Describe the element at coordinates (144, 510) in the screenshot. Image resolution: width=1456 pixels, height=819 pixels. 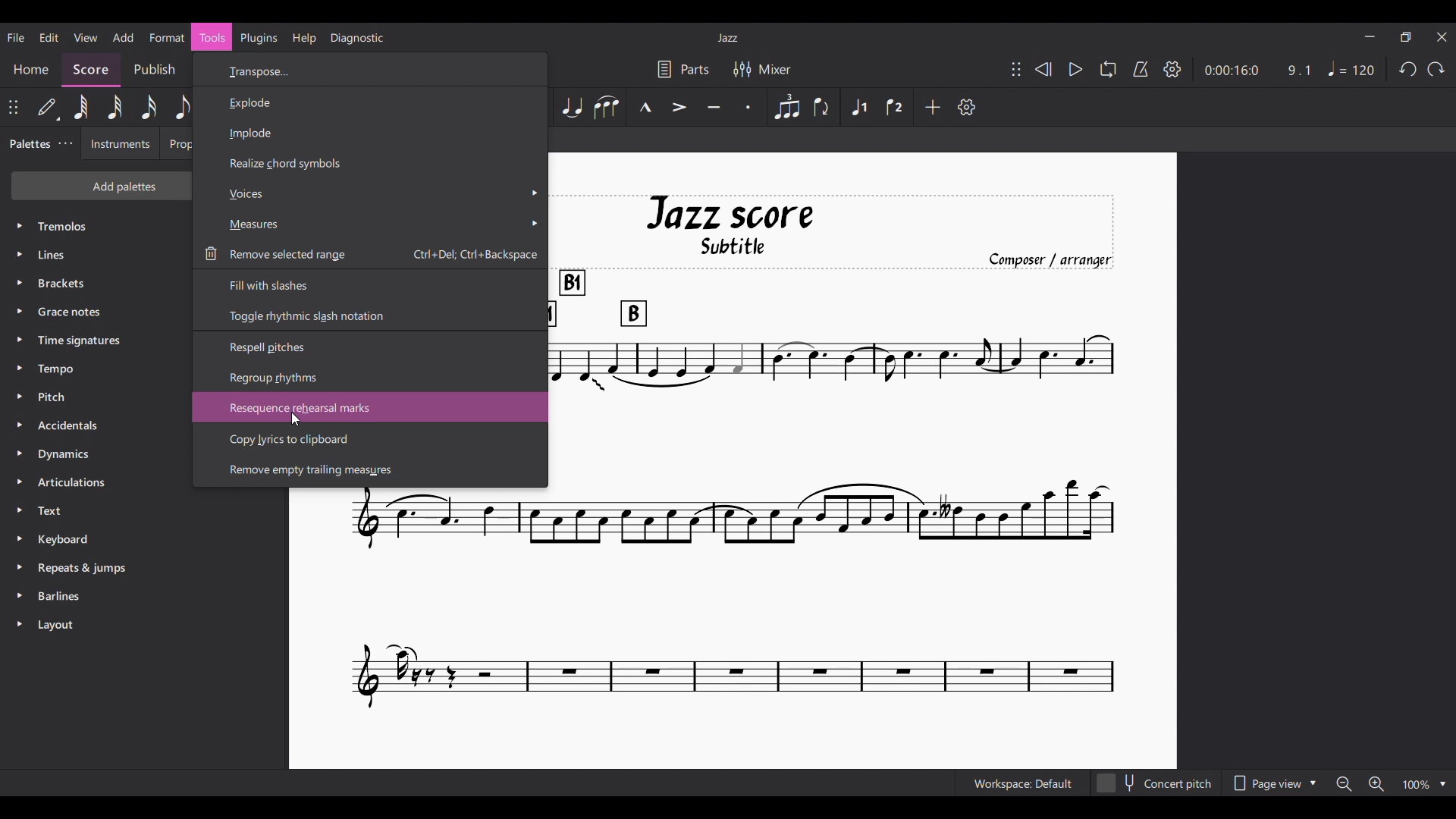
I see `Text` at that location.